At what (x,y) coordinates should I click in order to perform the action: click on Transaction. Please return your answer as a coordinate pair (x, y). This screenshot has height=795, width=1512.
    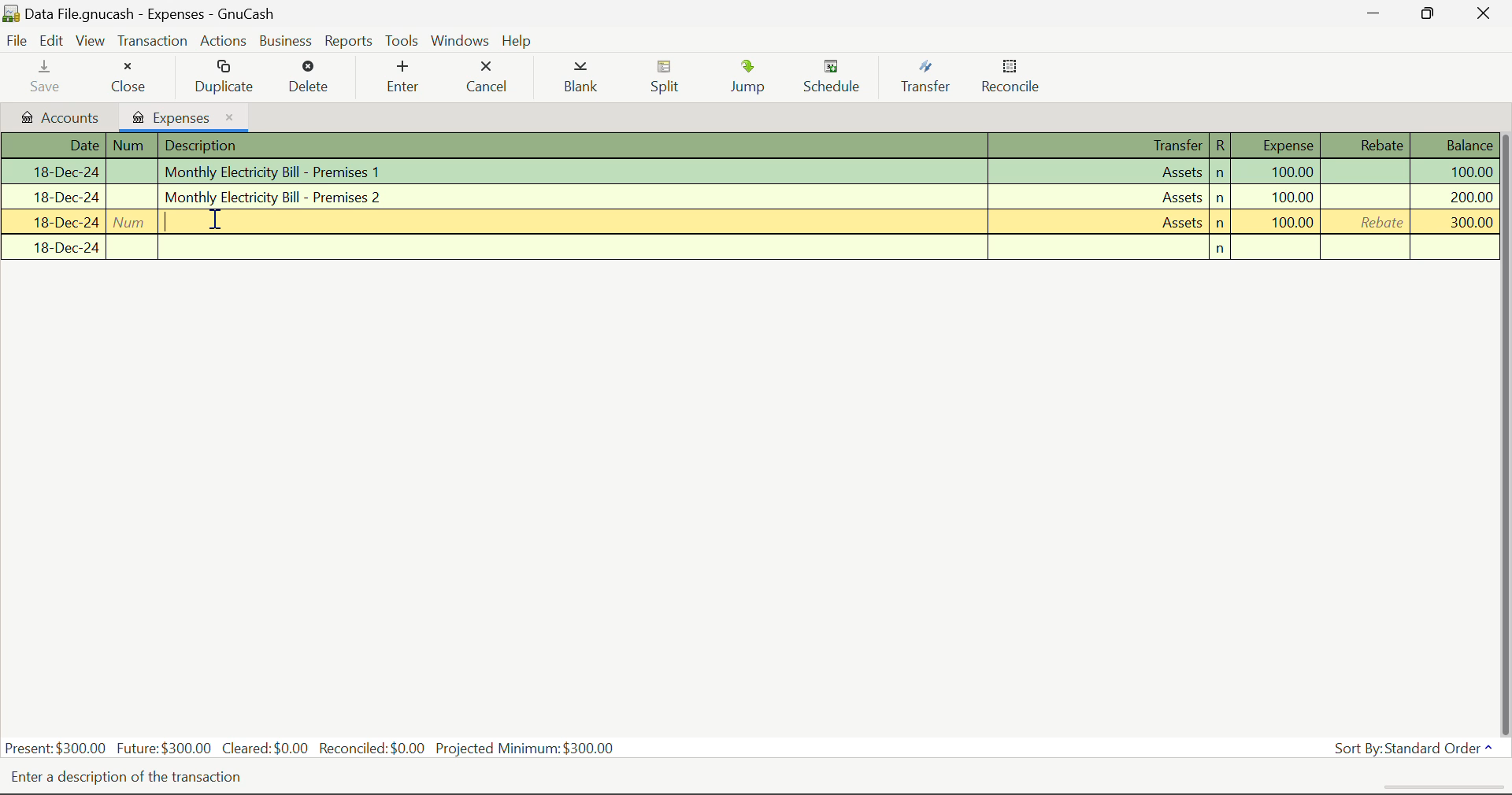
    Looking at the image, I should click on (152, 42).